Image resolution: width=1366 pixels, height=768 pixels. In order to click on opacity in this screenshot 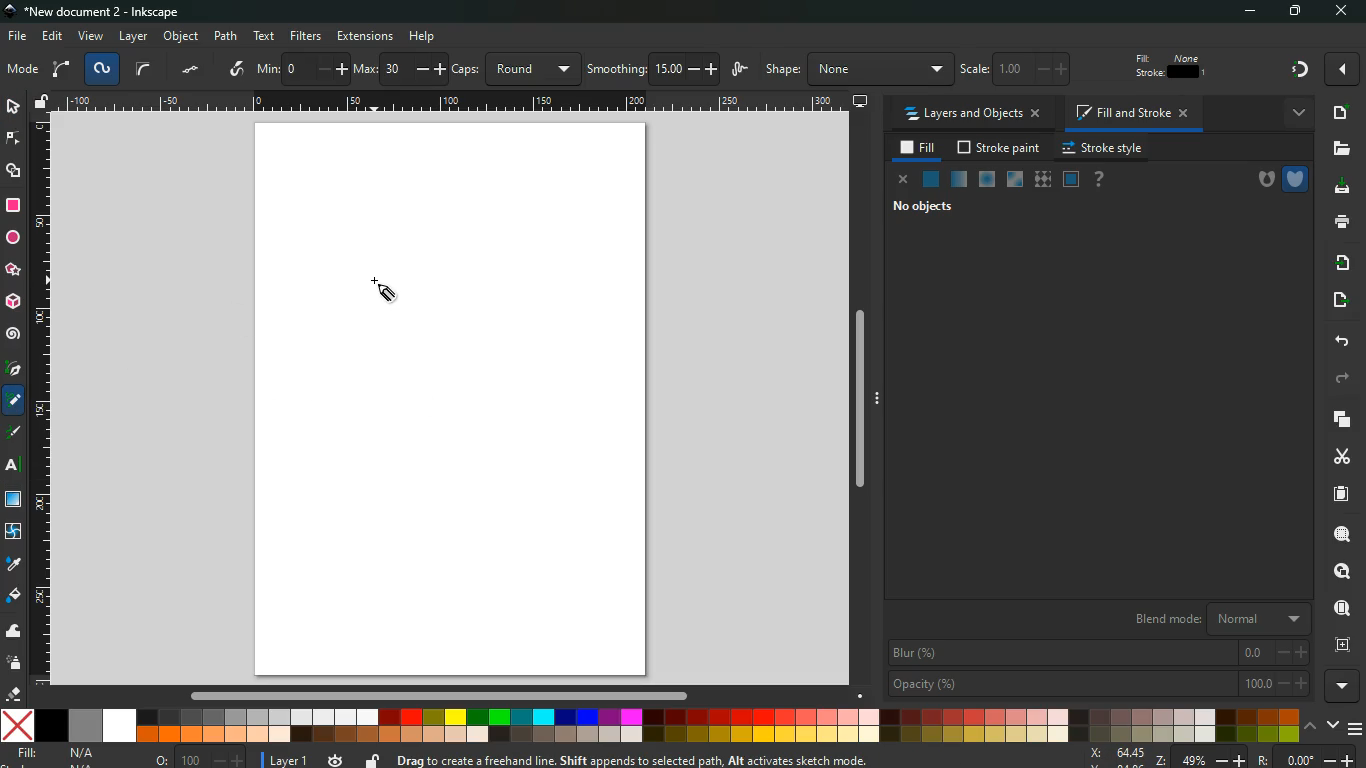, I will do `click(958, 178)`.